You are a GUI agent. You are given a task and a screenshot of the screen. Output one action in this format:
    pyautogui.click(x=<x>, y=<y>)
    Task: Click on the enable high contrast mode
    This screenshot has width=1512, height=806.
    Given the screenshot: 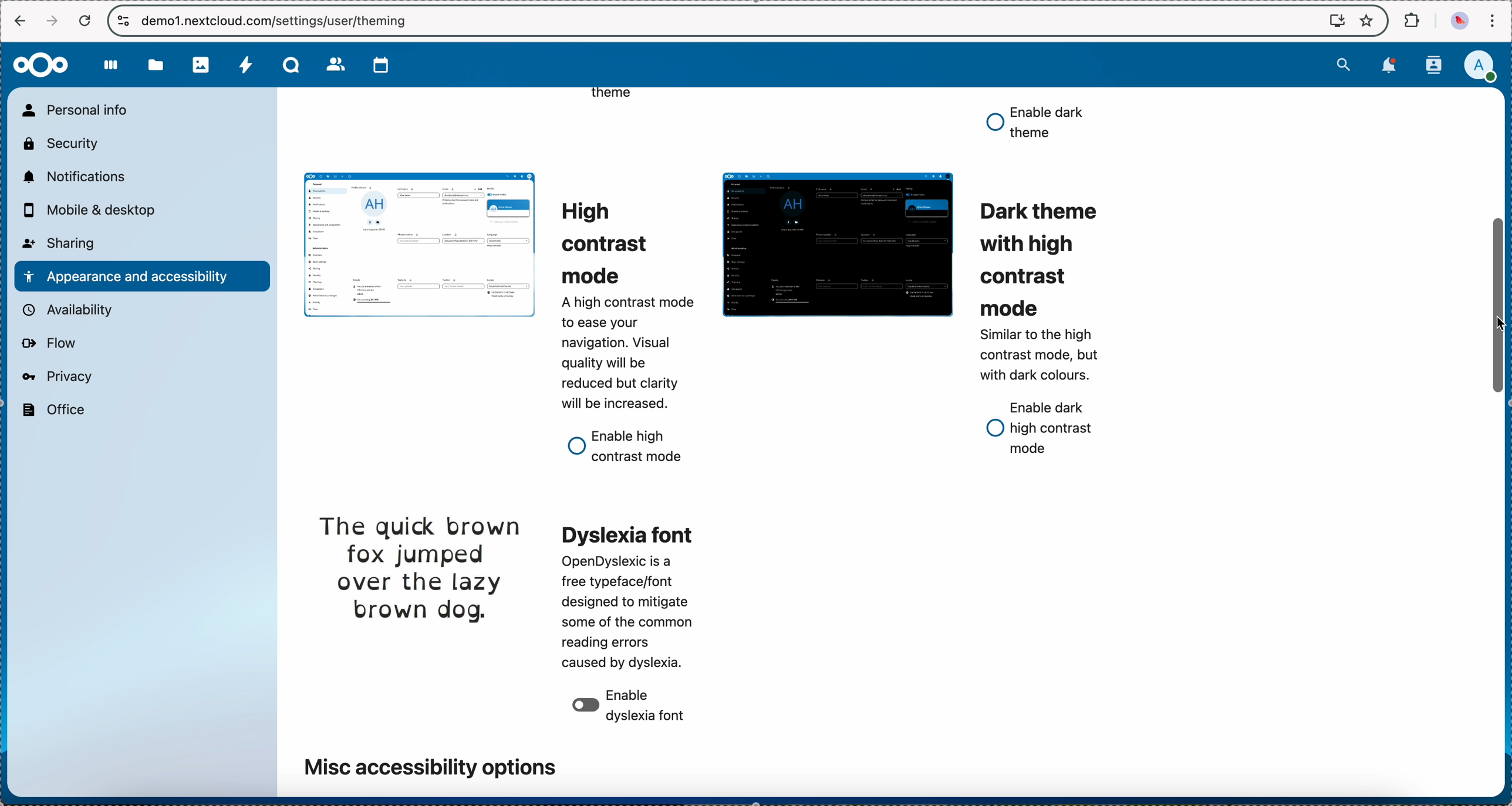 What is the action you would take?
    pyautogui.click(x=629, y=446)
    